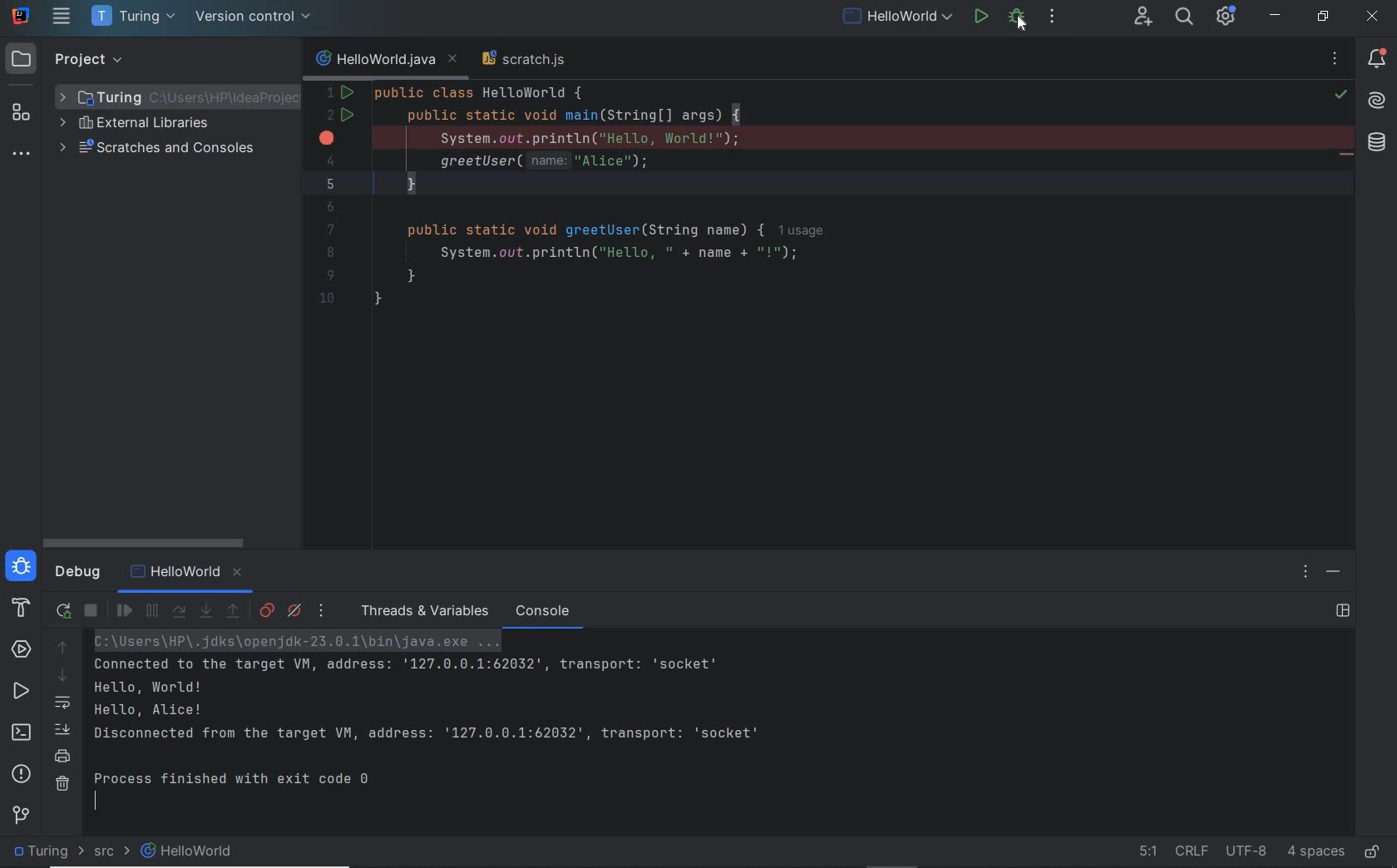  What do you see at coordinates (92, 611) in the screenshot?
I see `stop` at bounding box center [92, 611].